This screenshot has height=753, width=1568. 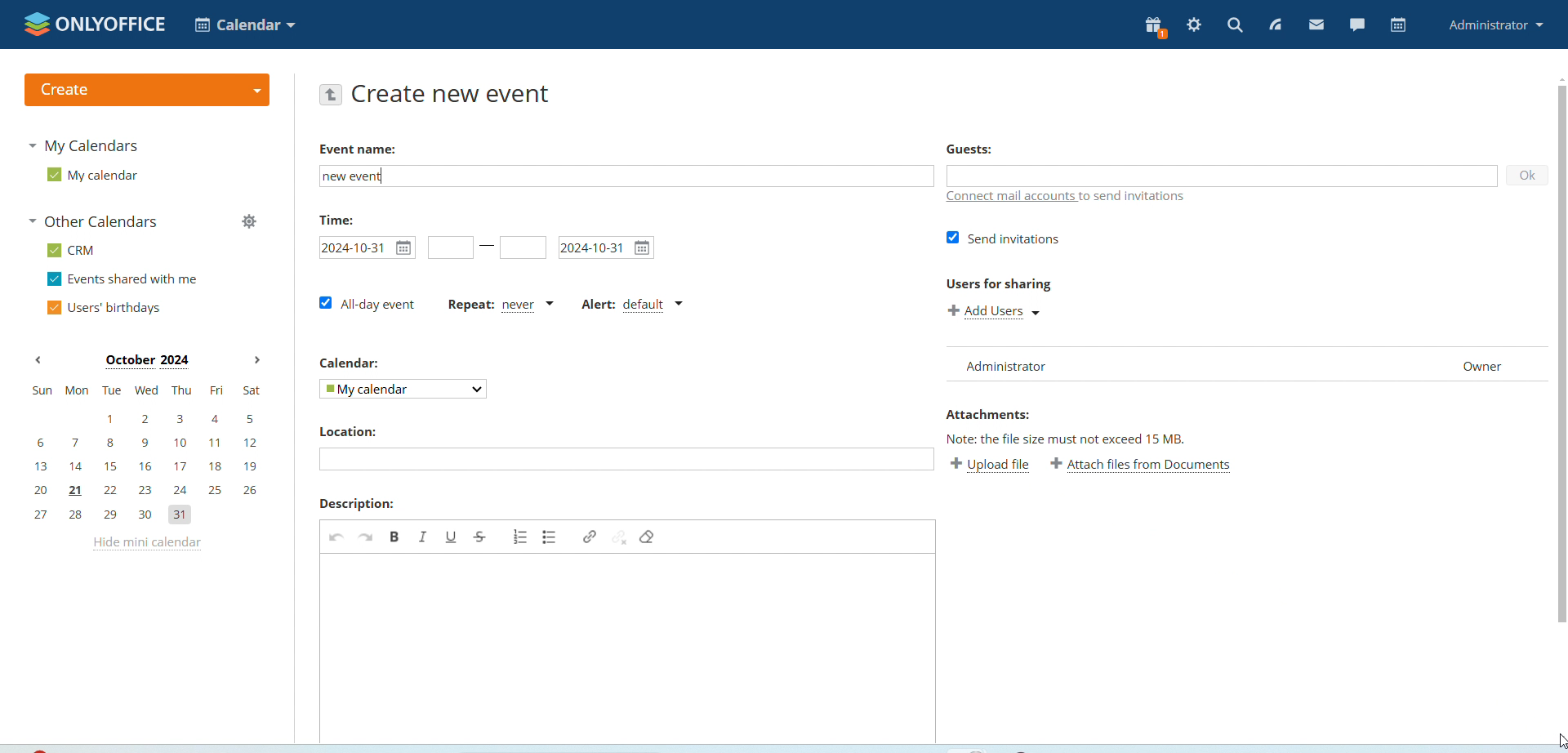 I want to click on cursor, so click(x=1558, y=740).